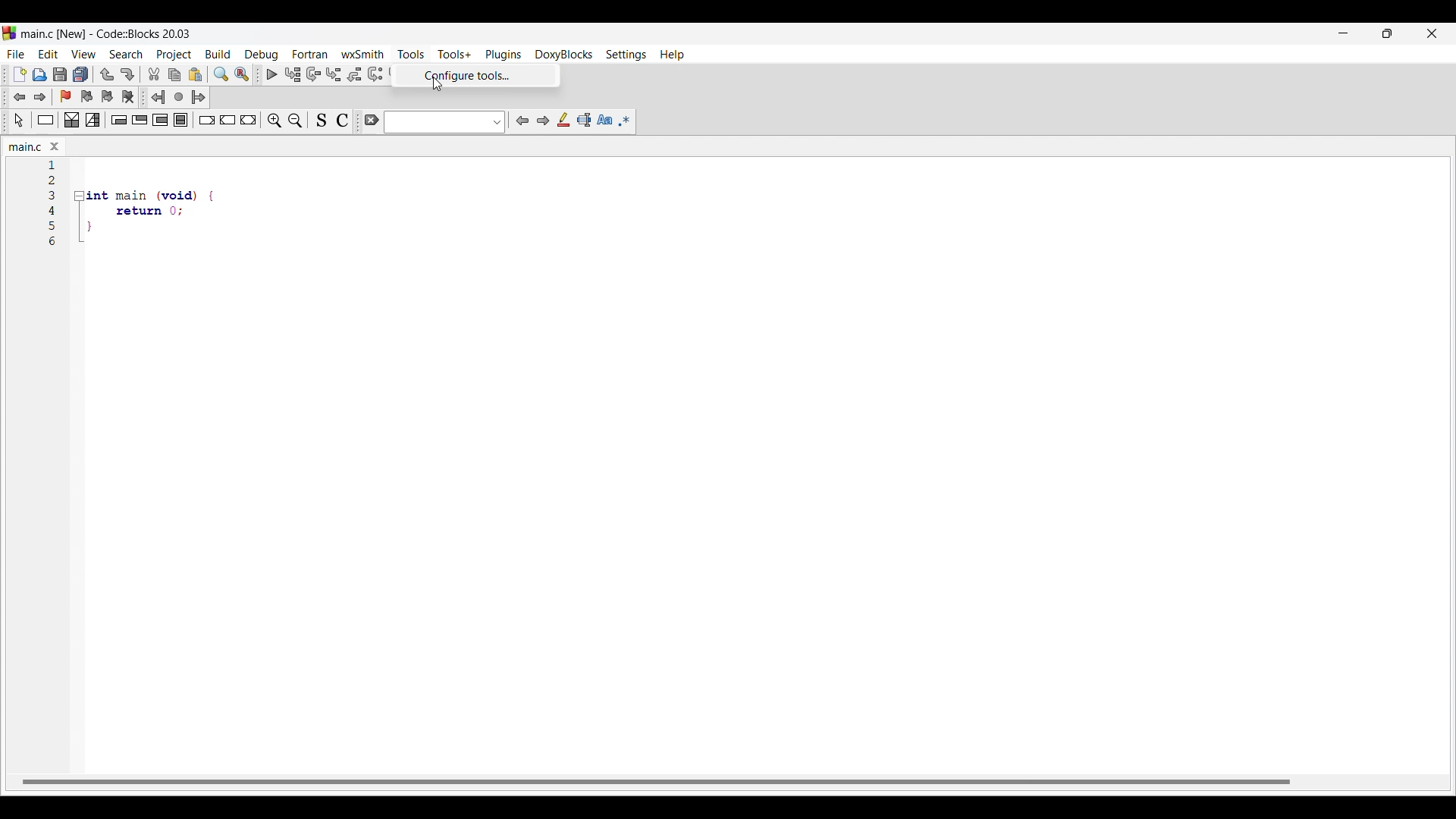  Describe the element at coordinates (107, 74) in the screenshot. I see `Undo` at that location.